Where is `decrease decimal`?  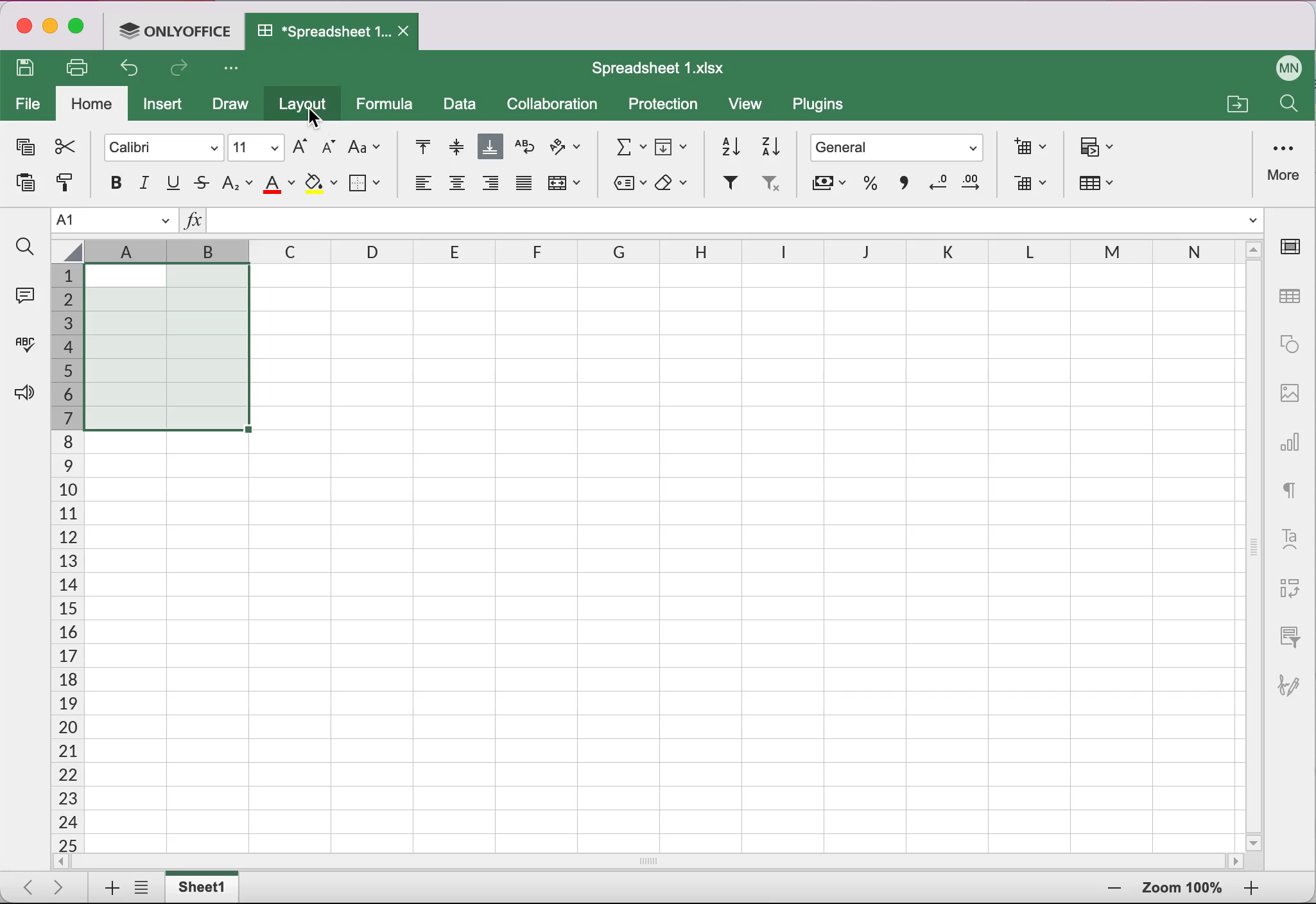 decrease decimal is located at coordinates (936, 186).